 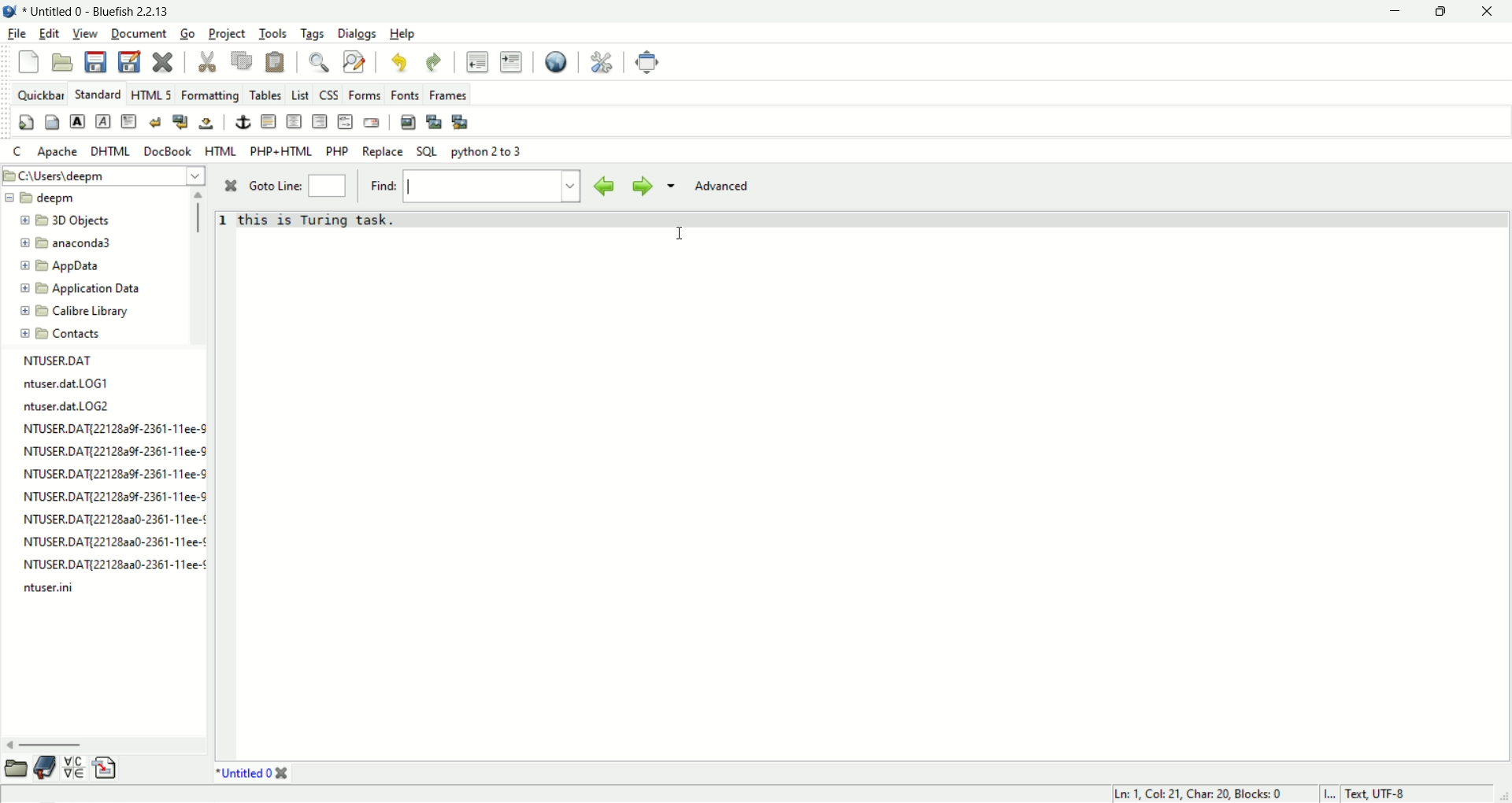 What do you see at coordinates (573, 186) in the screenshot?
I see `find history` at bounding box center [573, 186].